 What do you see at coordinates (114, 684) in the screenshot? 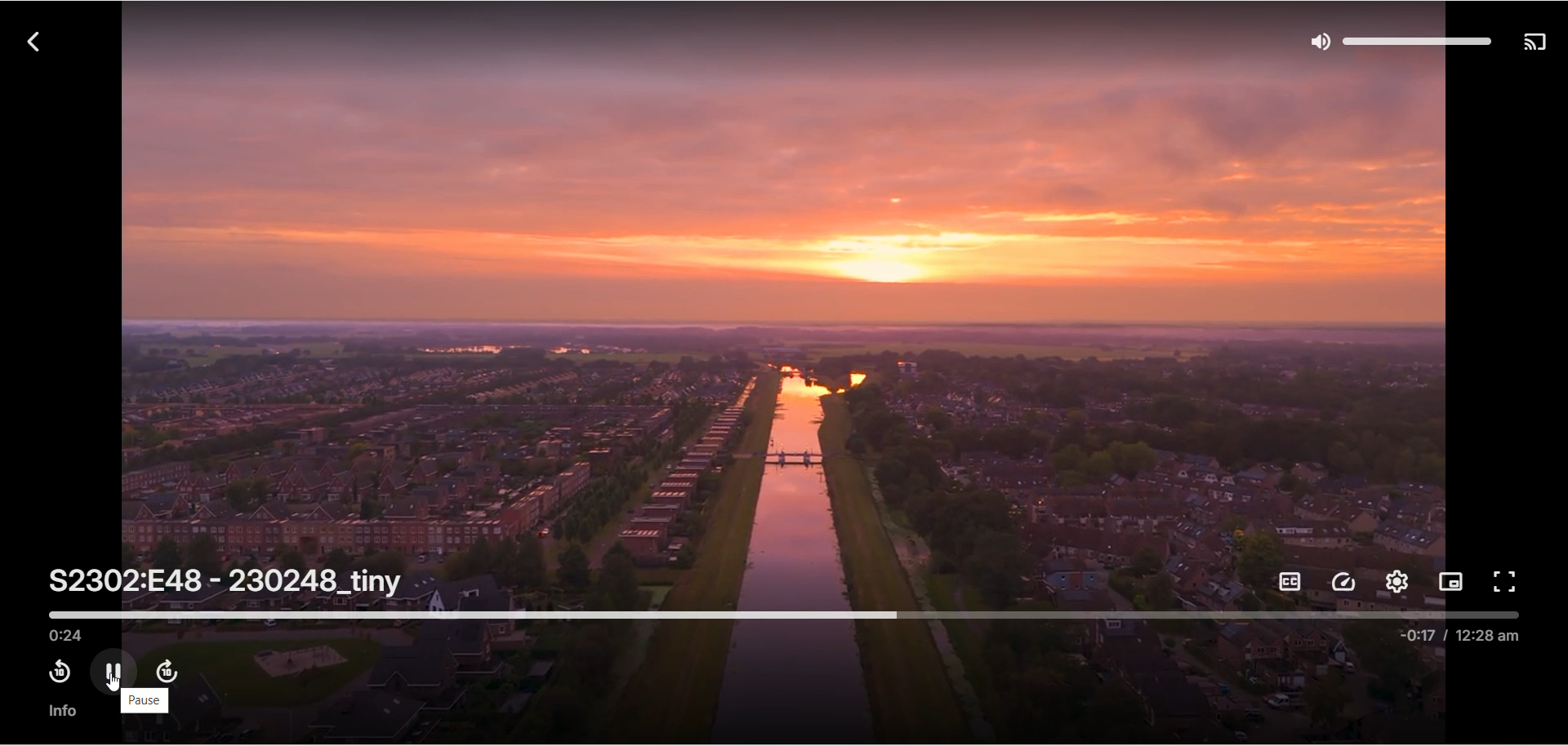
I see `cursor` at bounding box center [114, 684].